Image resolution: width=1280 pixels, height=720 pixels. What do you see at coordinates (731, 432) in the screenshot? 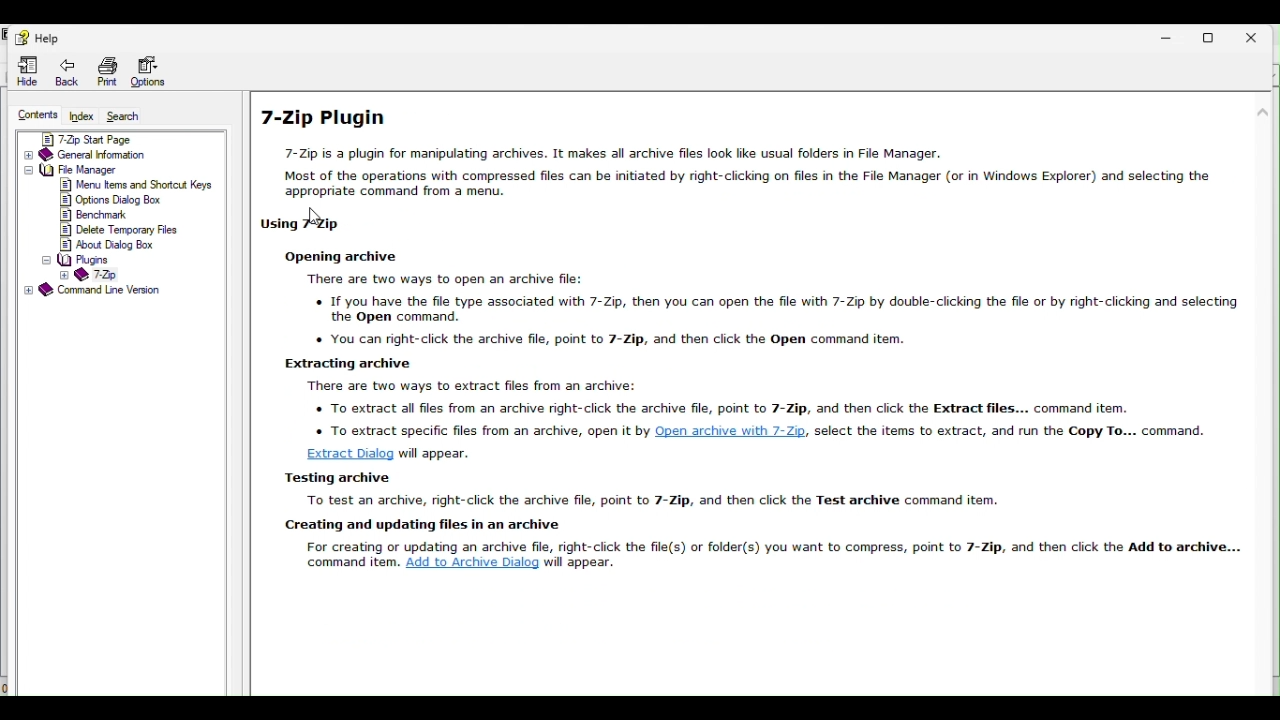
I see `Open archive with /-Zip,` at bounding box center [731, 432].